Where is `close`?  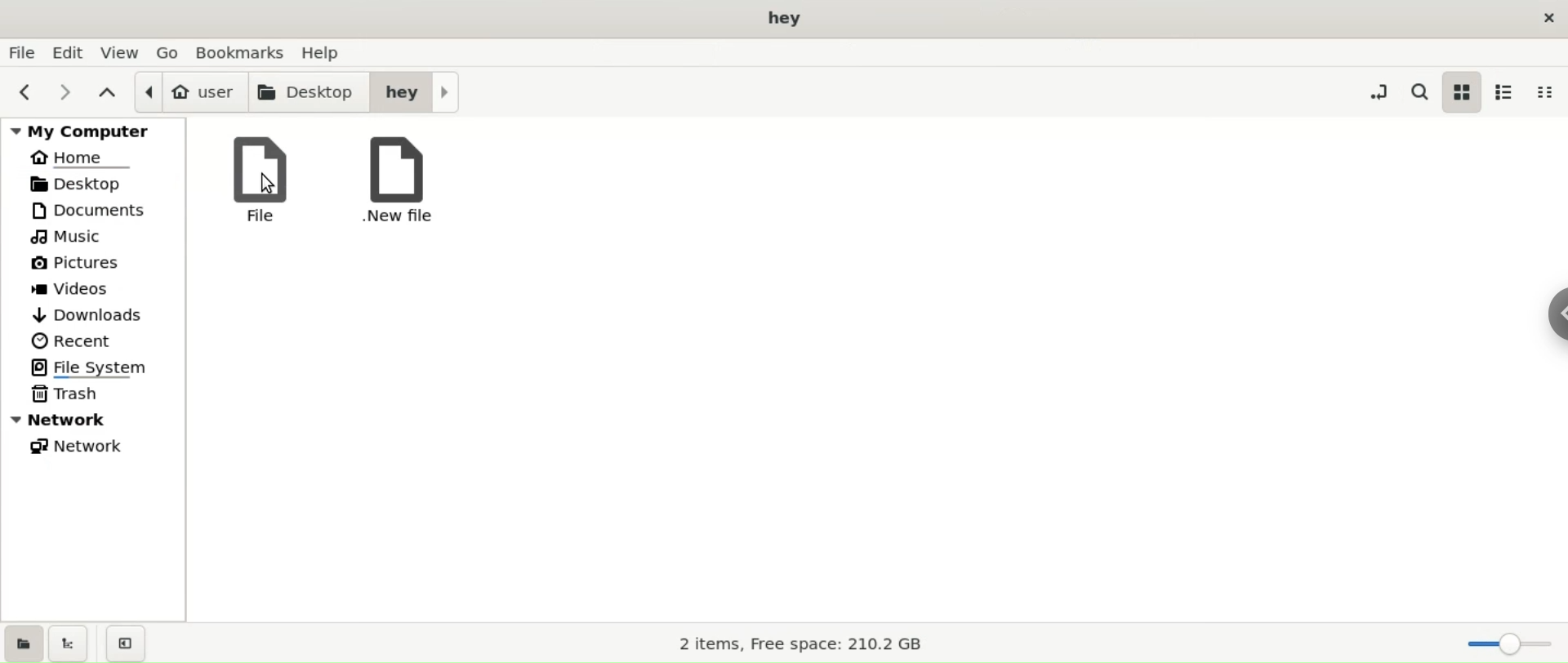
close is located at coordinates (1543, 18).